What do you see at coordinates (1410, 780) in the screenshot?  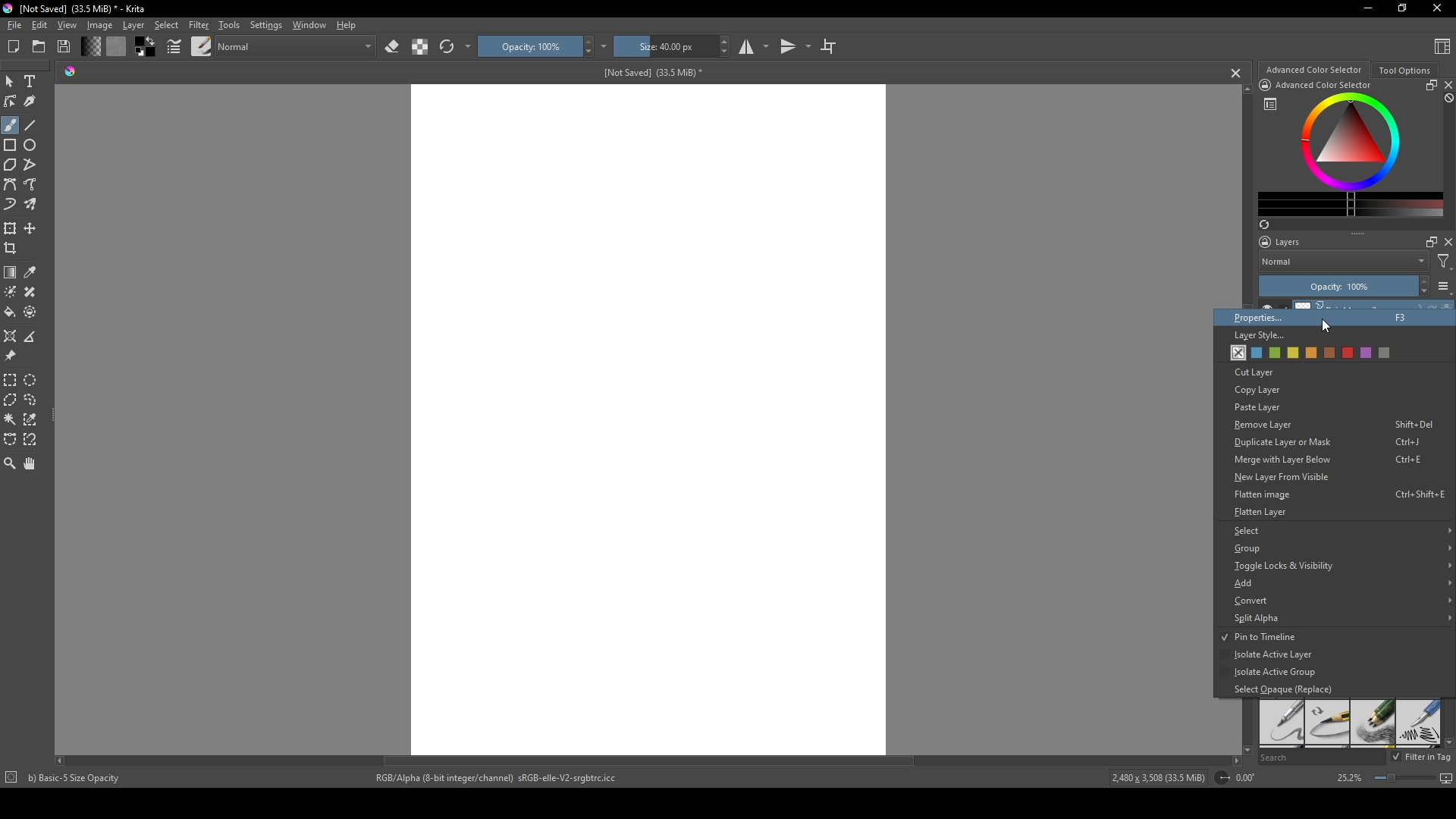 I see `screen size` at bounding box center [1410, 780].